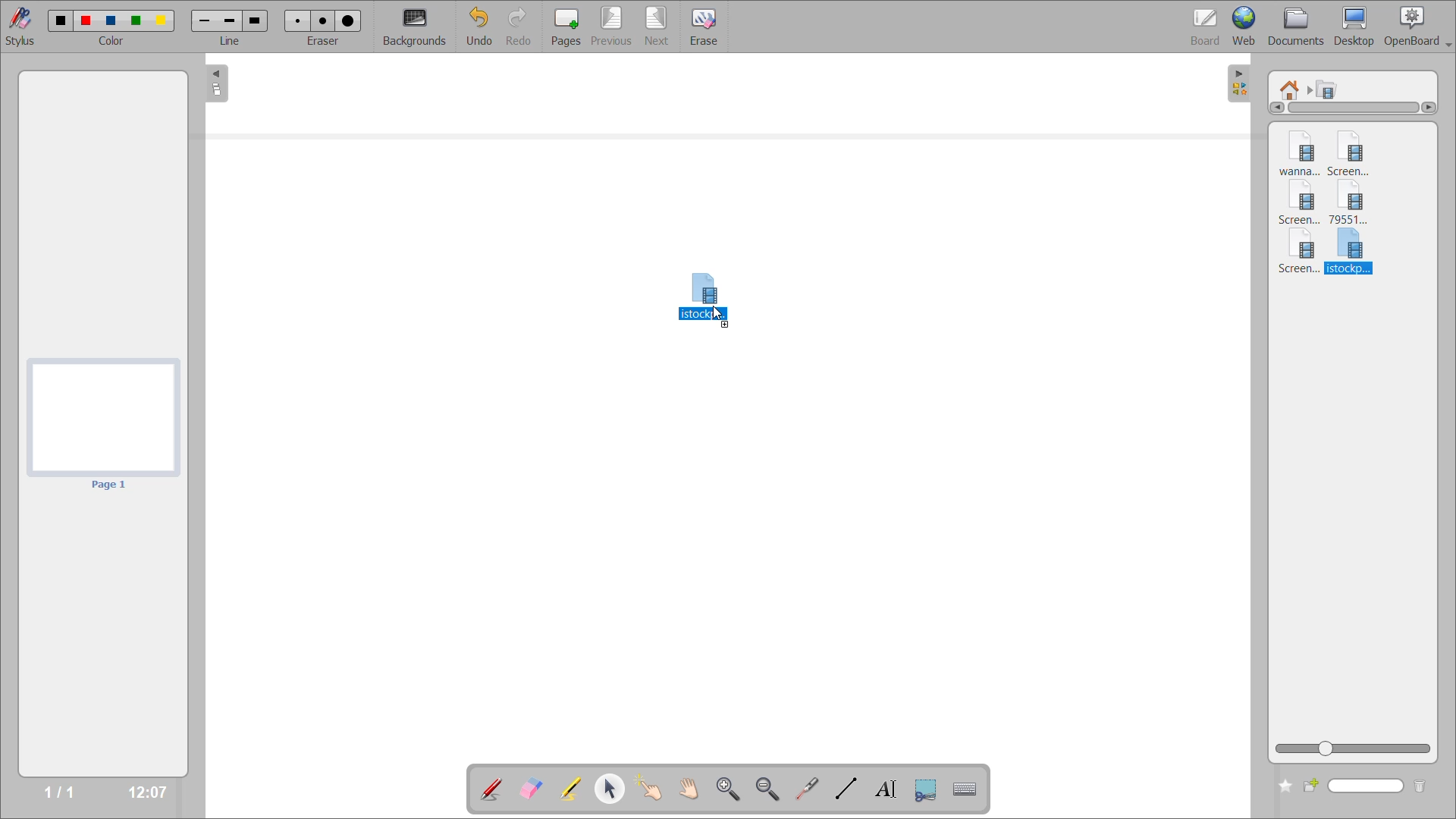 Image resolution: width=1456 pixels, height=819 pixels. Describe the element at coordinates (115, 42) in the screenshot. I see `color ` at that location.